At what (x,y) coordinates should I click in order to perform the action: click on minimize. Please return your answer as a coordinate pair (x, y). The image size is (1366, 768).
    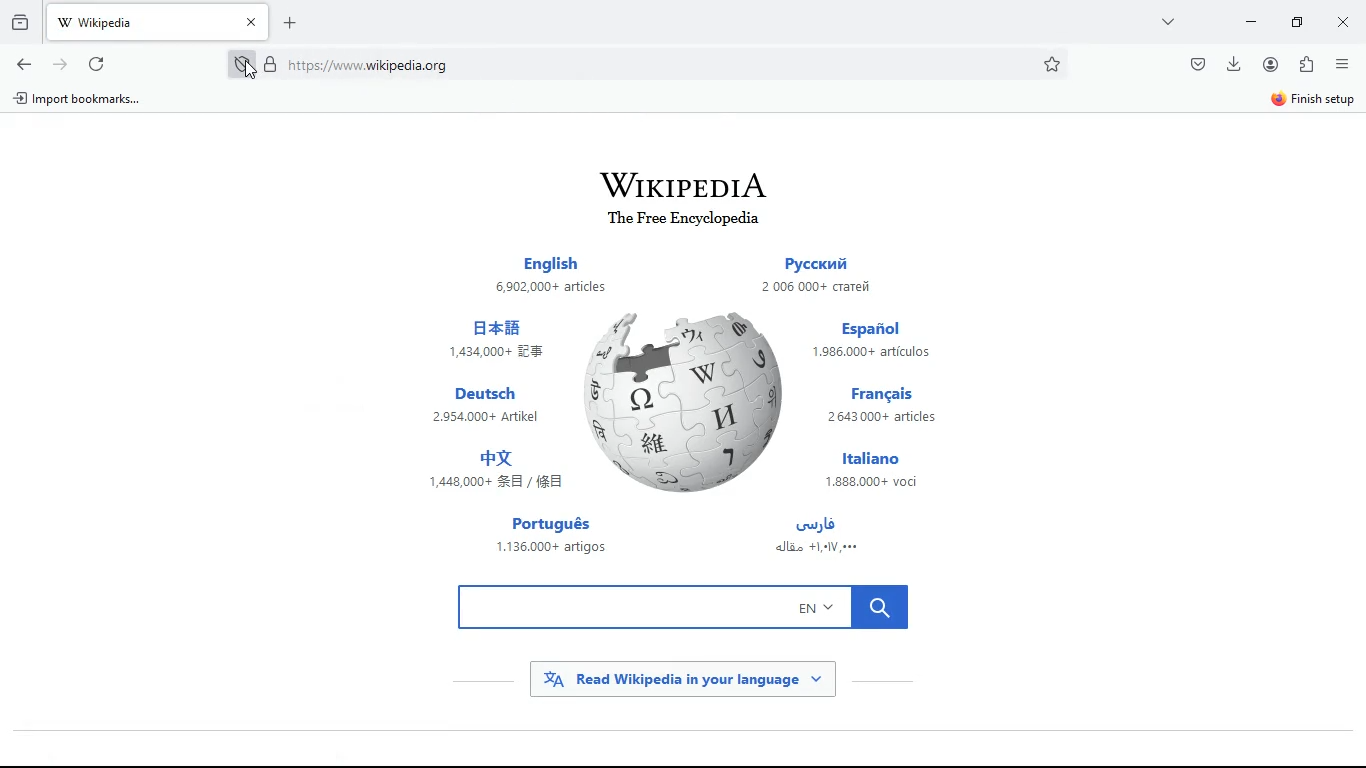
    Looking at the image, I should click on (1252, 23).